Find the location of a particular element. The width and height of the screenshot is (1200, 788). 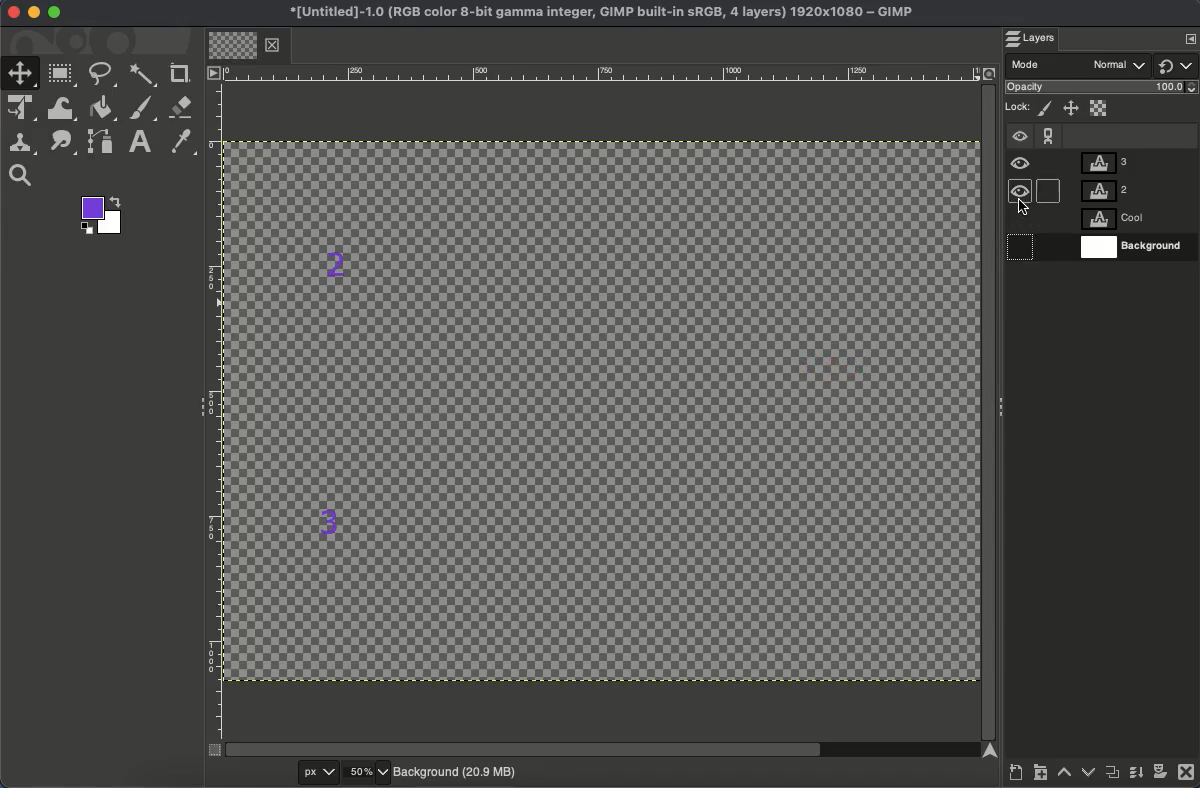

2 is located at coordinates (338, 259).